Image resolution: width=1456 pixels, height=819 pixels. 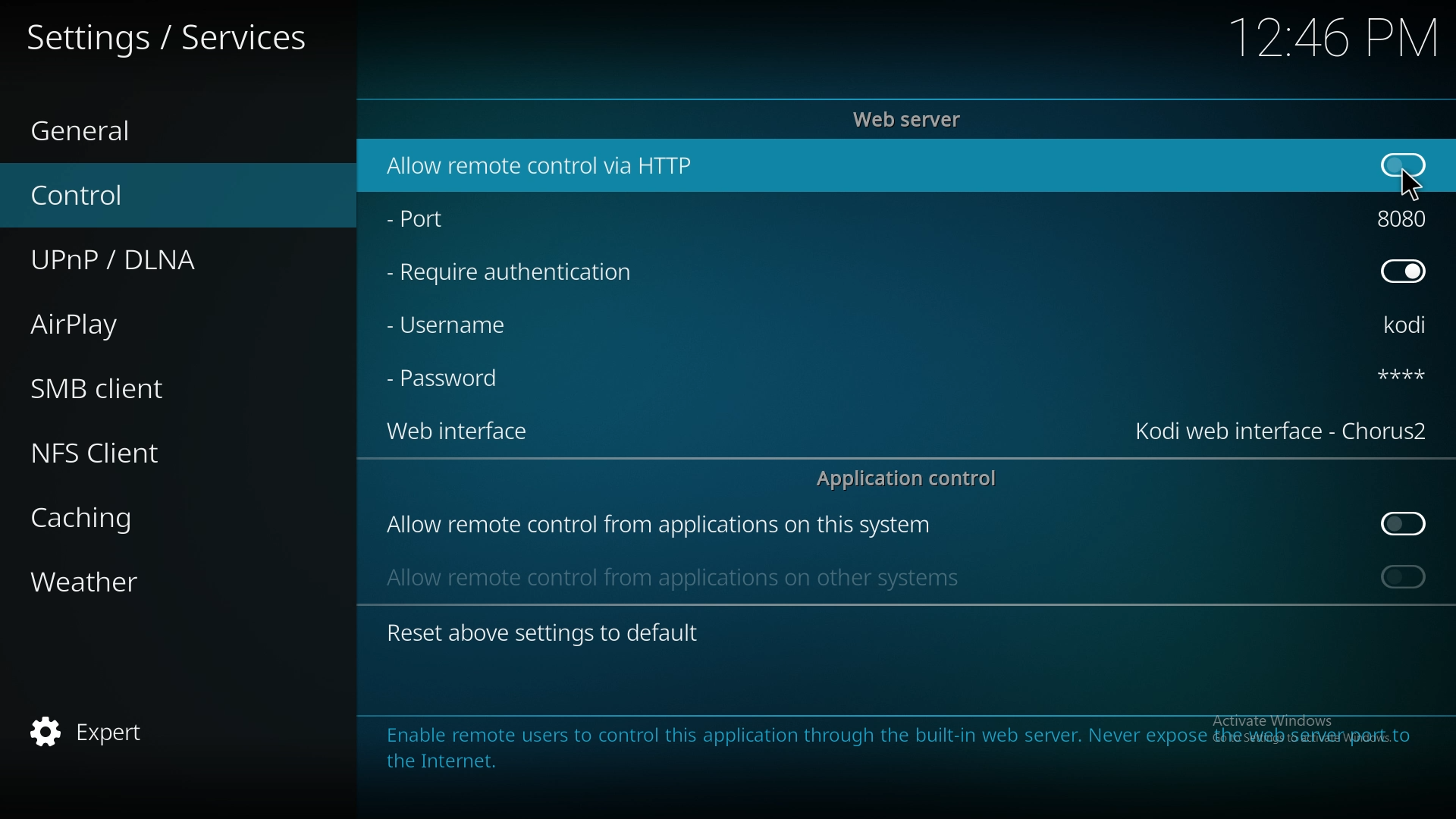 What do you see at coordinates (1413, 183) in the screenshot?
I see `cursor` at bounding box center [1413, 183].